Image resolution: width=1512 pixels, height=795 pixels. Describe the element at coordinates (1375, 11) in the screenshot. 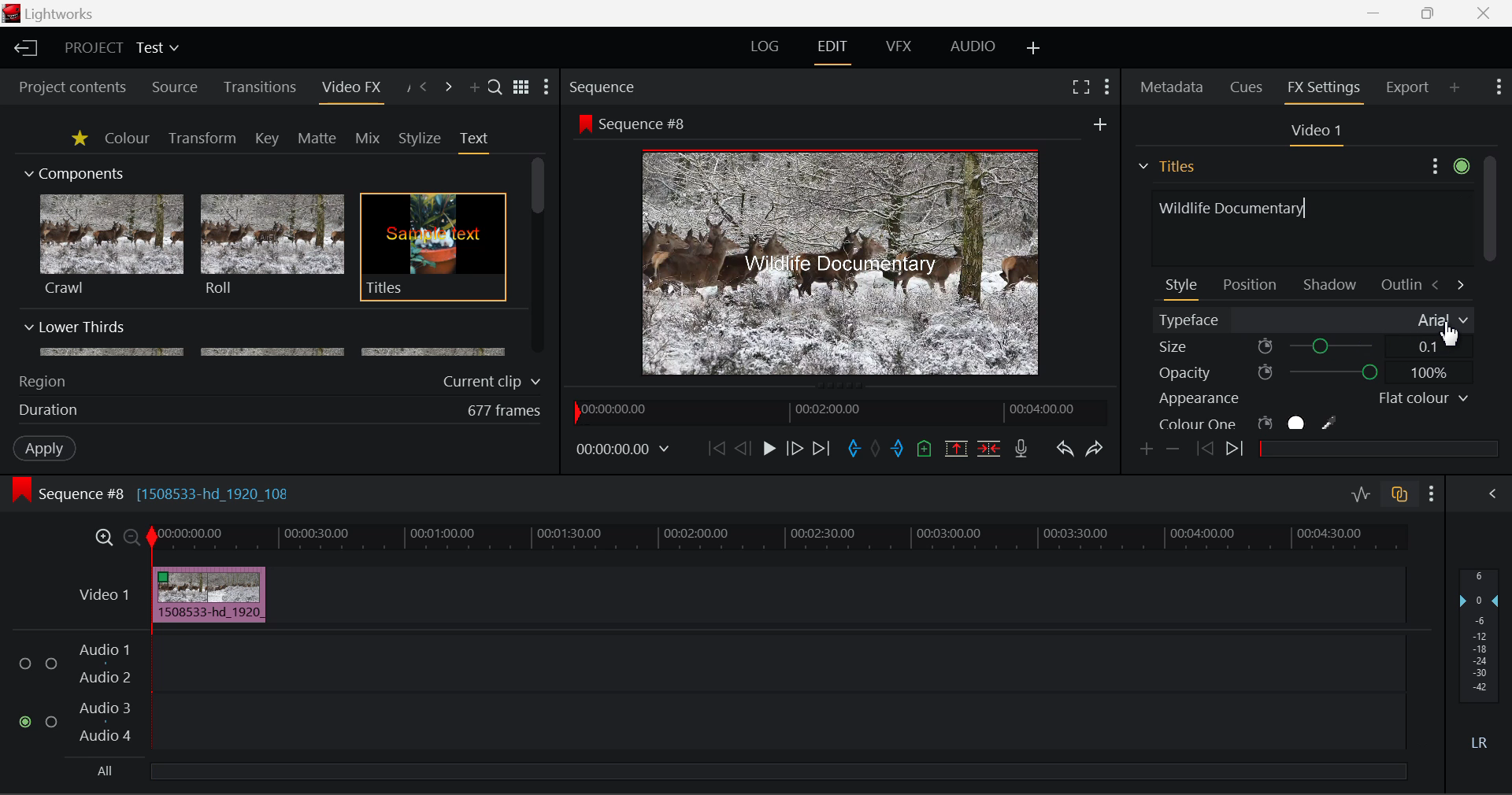

I see `Restore Down` at that location.